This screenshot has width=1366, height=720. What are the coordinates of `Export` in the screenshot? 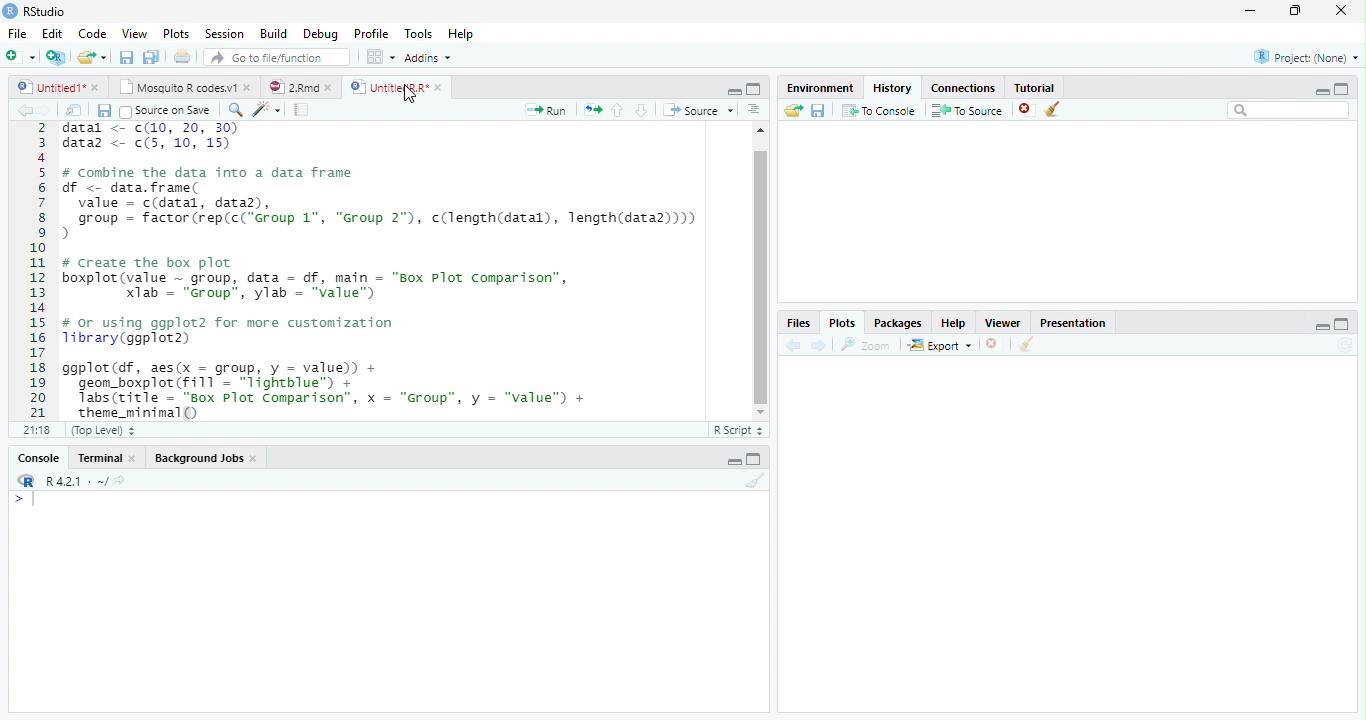 It's located at (940, 345).